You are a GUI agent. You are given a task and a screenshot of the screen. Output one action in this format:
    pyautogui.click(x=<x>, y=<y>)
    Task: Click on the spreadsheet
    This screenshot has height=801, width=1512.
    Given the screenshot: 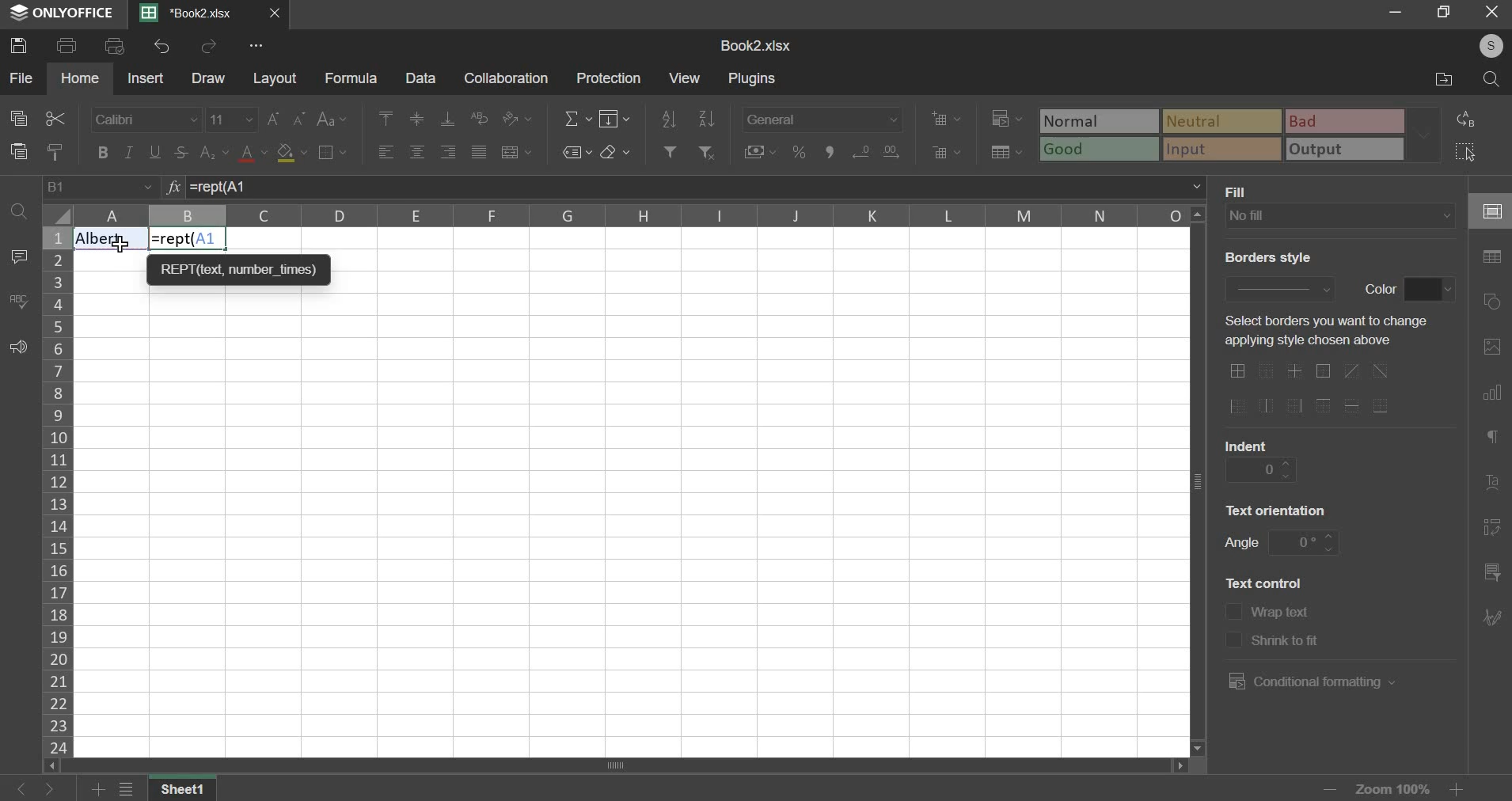 What is the action you would take?
    pyautogui.click(x=754, y=44)
    